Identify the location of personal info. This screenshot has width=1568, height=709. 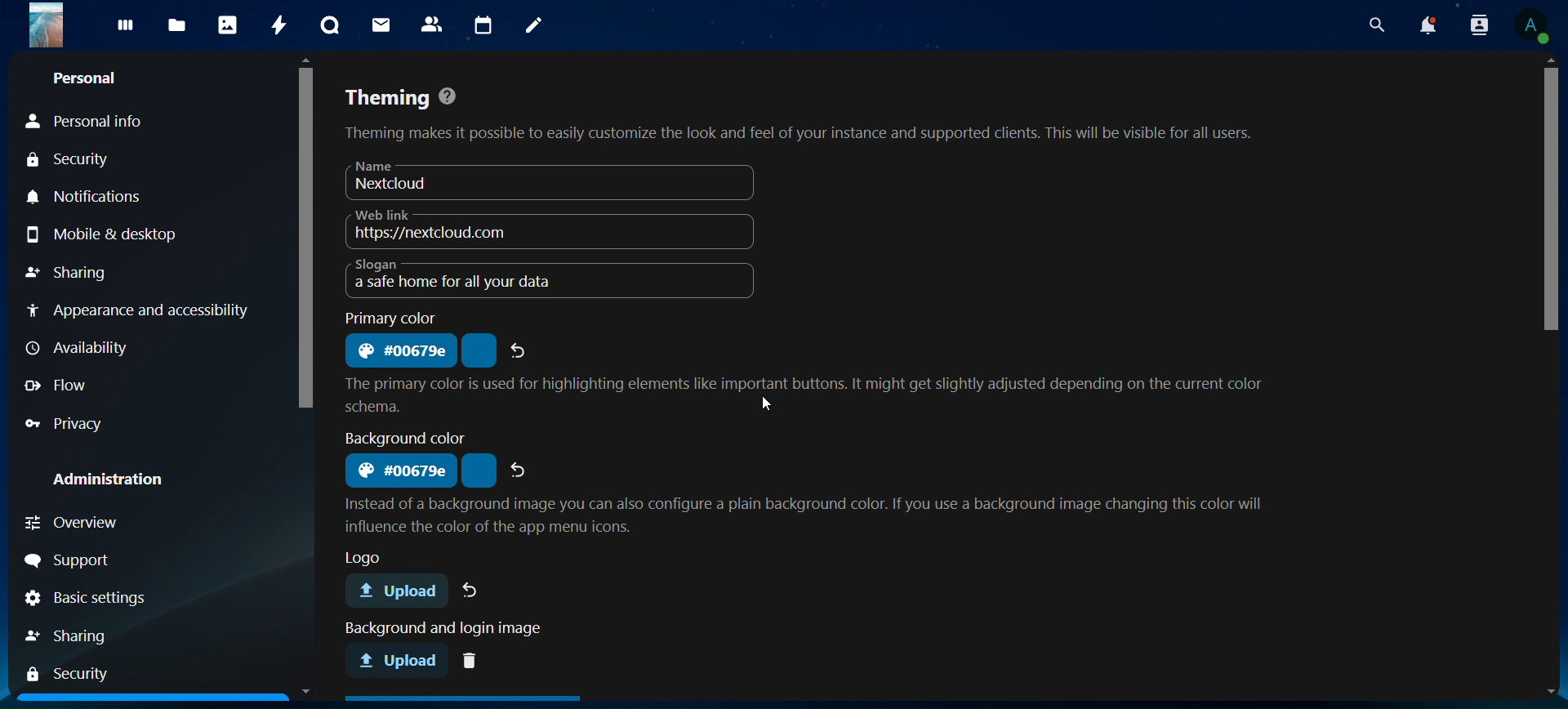
(96, 119).